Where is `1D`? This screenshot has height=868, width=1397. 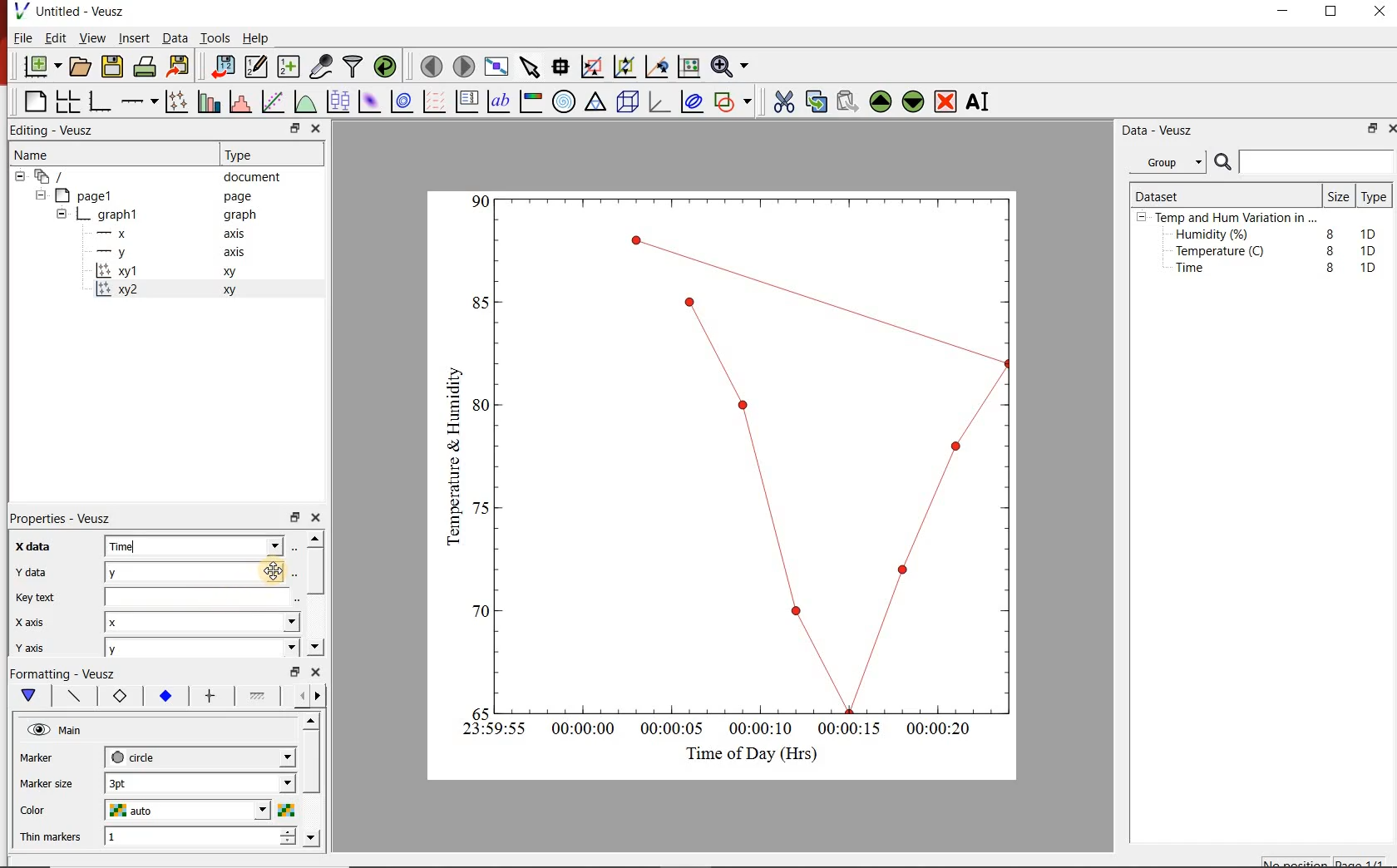
1D is located at coordinates (1373, 250).